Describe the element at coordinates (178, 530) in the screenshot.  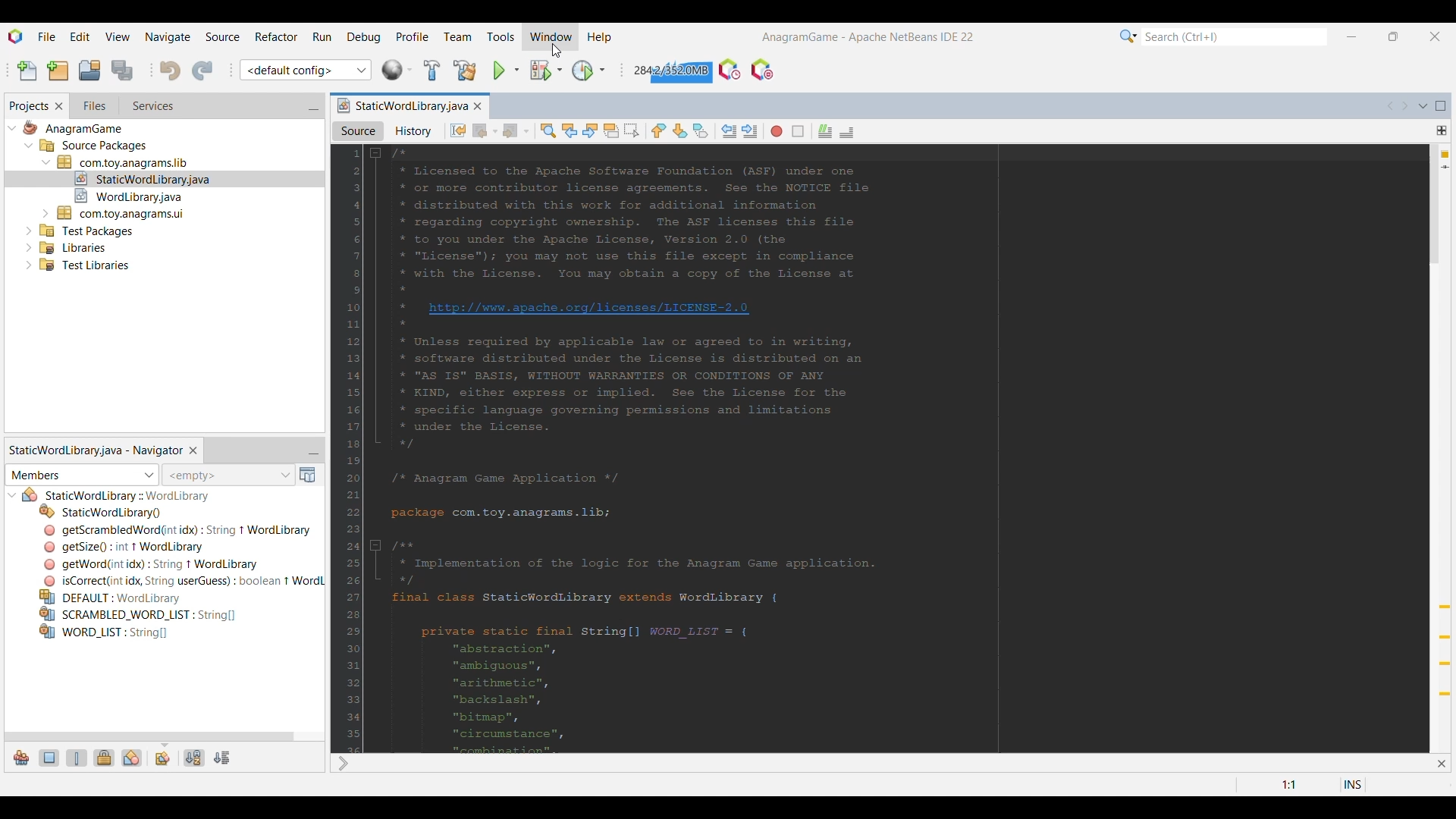
I see `` at that location.